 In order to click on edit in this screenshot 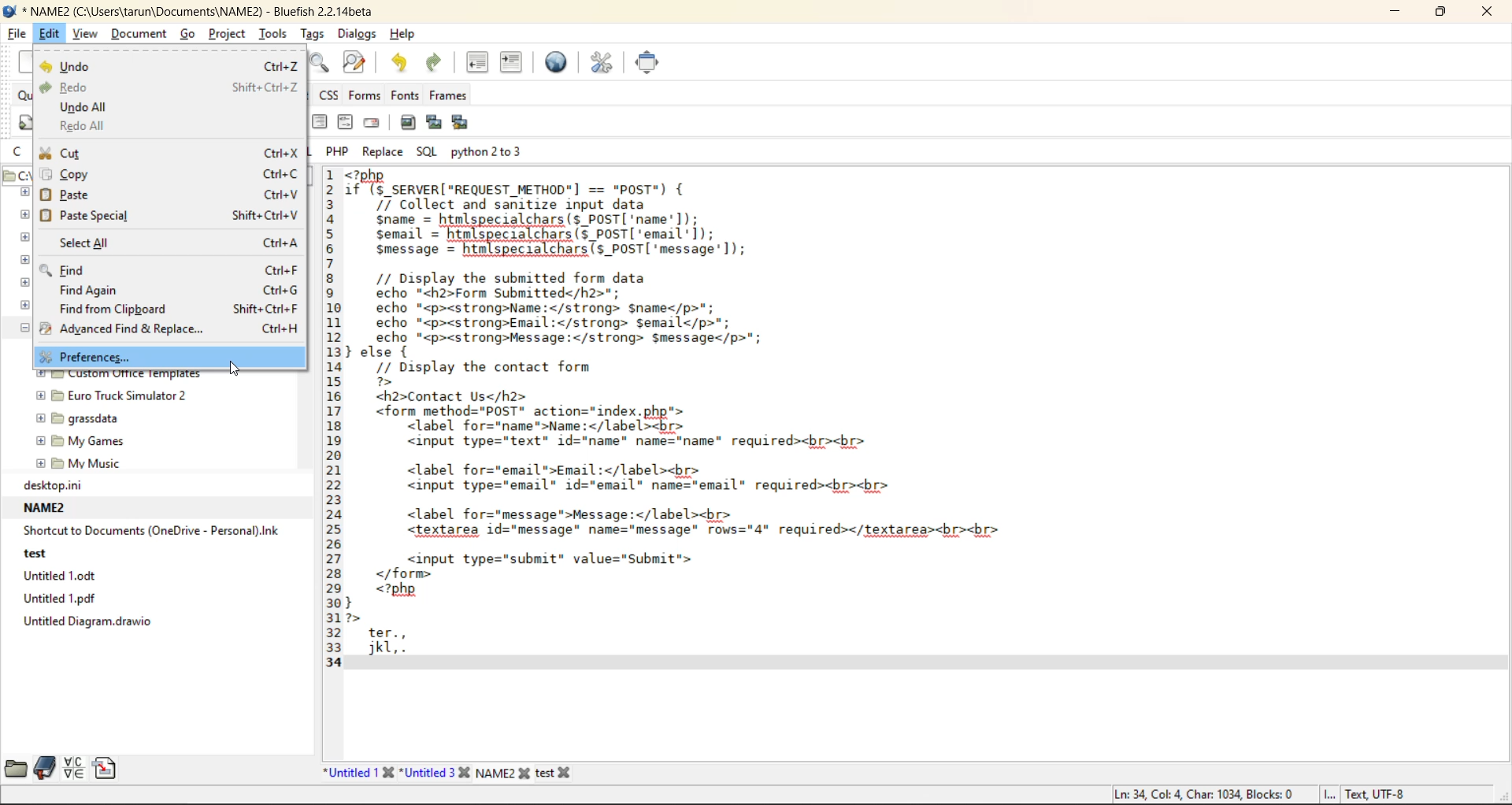, I will do `click(47, 34)`.